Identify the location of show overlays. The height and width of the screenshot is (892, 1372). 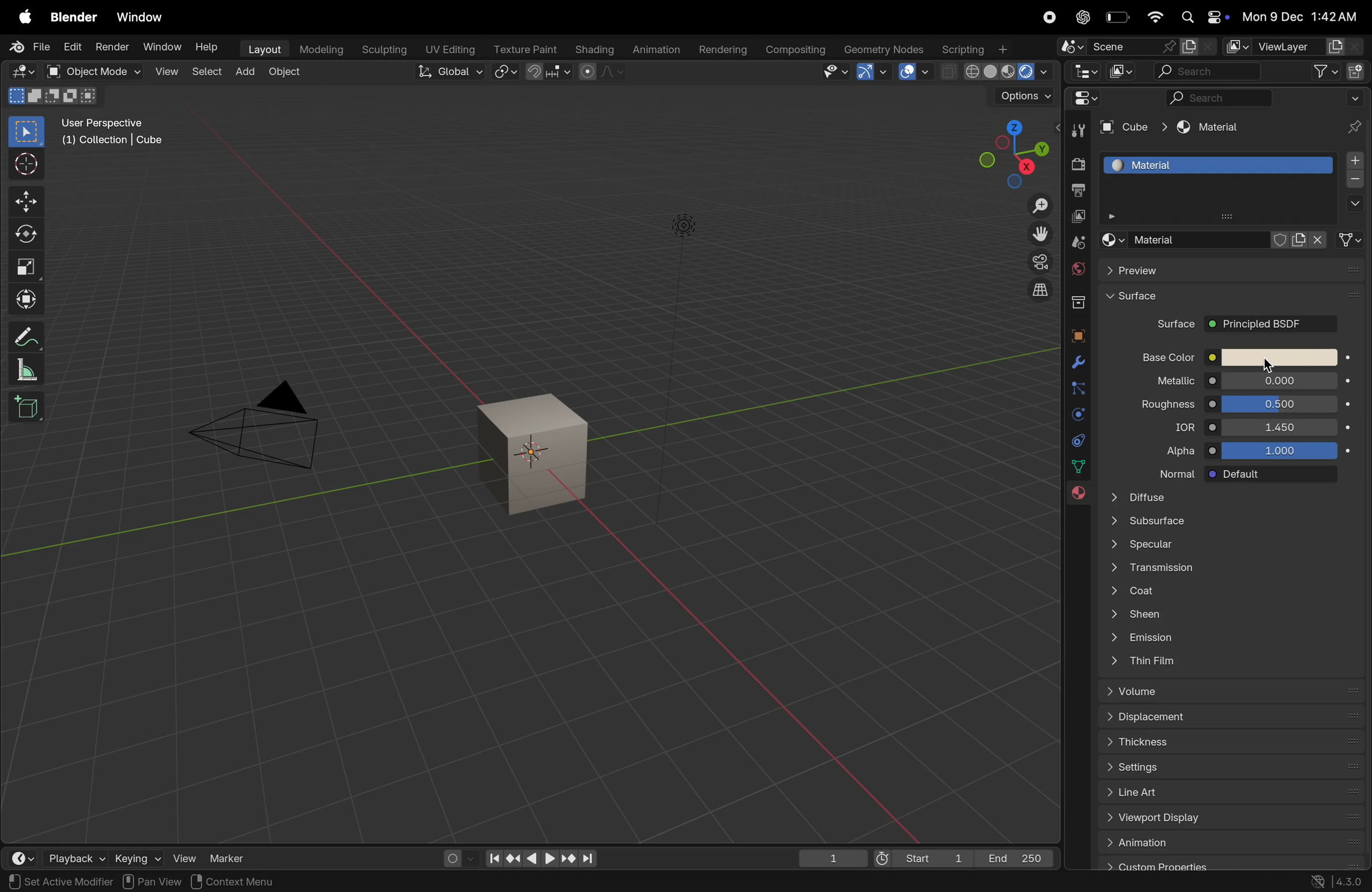
(916, 72).